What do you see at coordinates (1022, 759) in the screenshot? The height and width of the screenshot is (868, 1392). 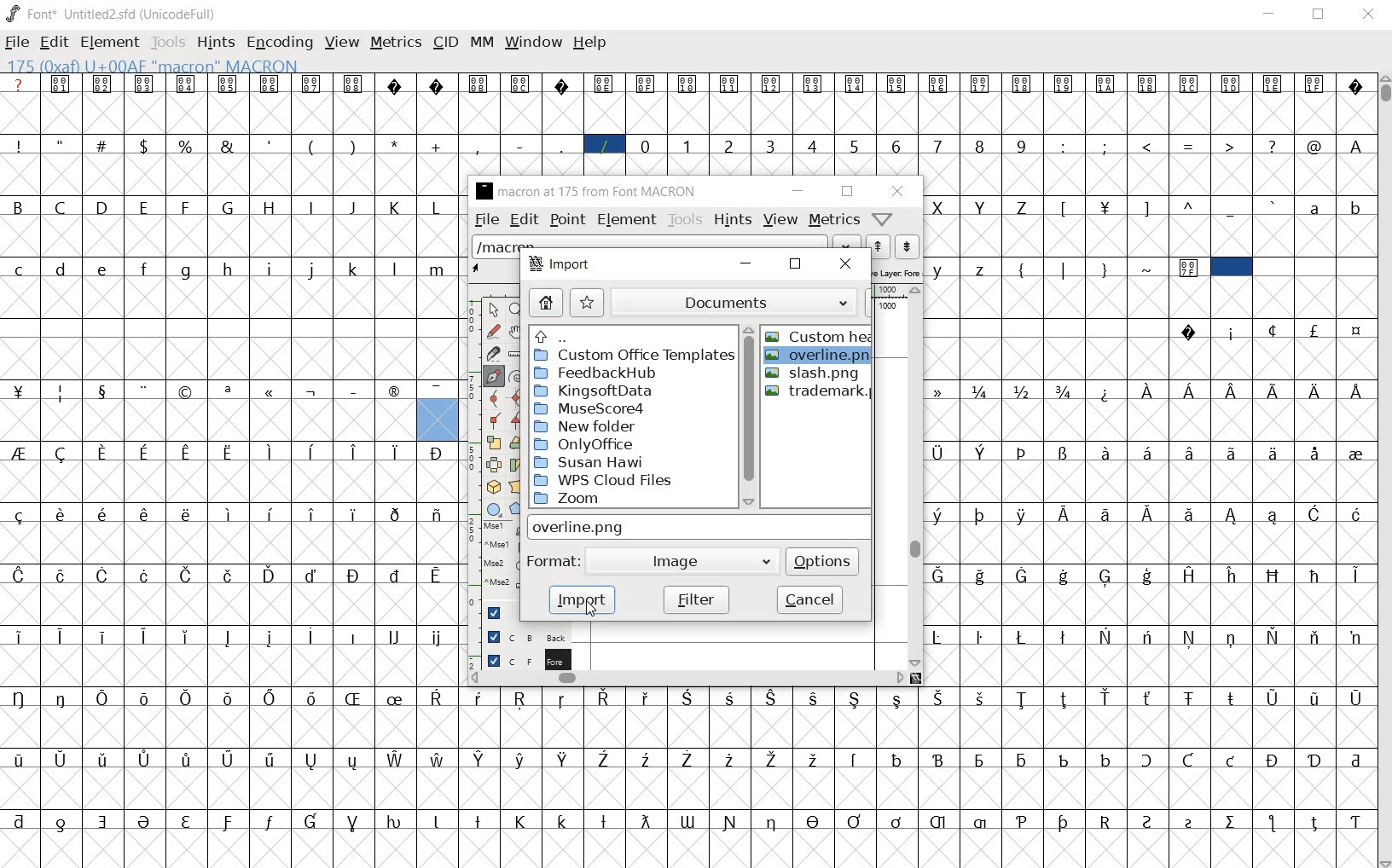 I see `Symbol` at bounding box center [1022, 759].